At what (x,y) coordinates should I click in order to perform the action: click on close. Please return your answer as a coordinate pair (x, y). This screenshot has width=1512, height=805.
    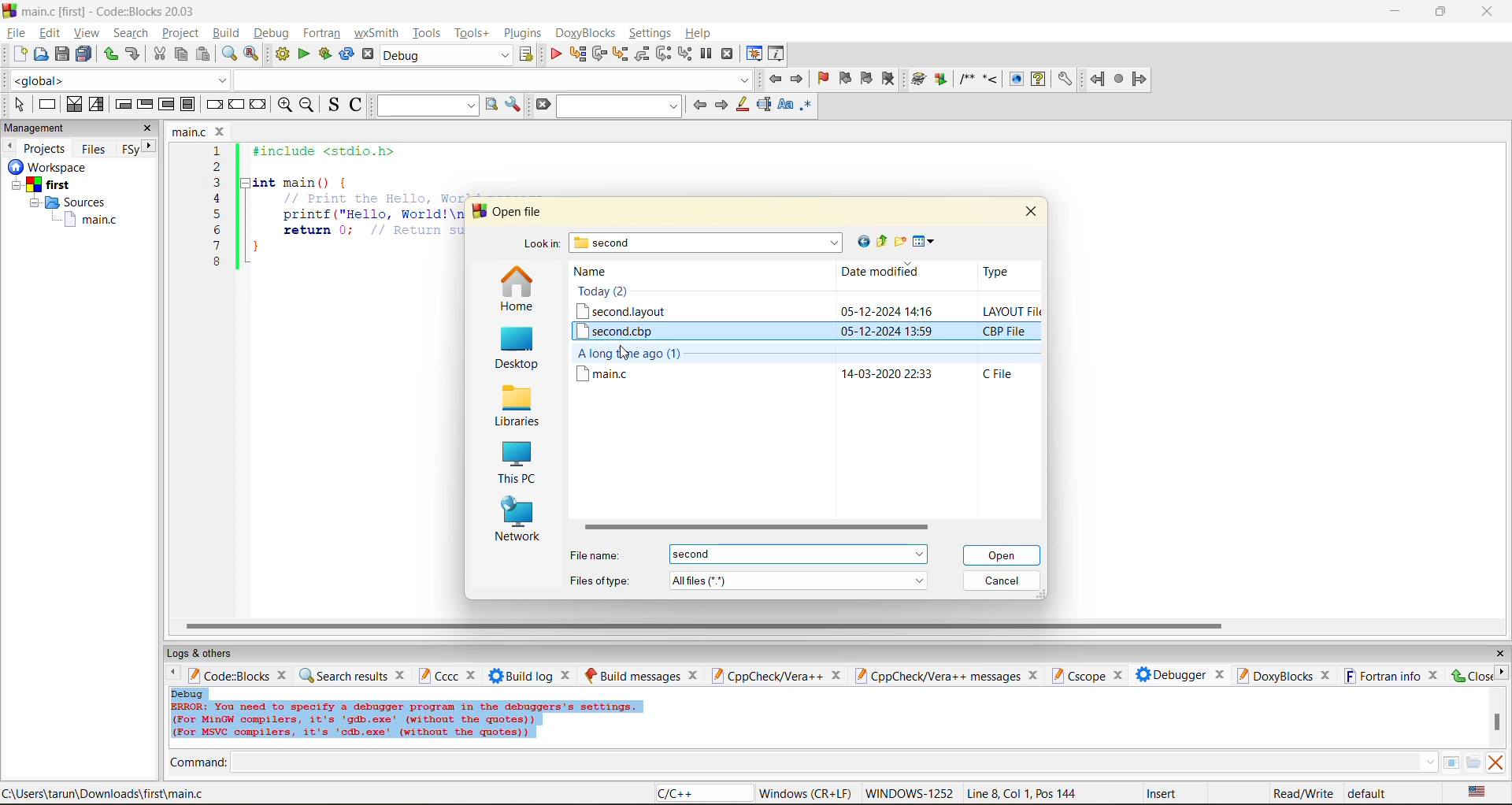
    Looking at the image, I should click on (402, 674).